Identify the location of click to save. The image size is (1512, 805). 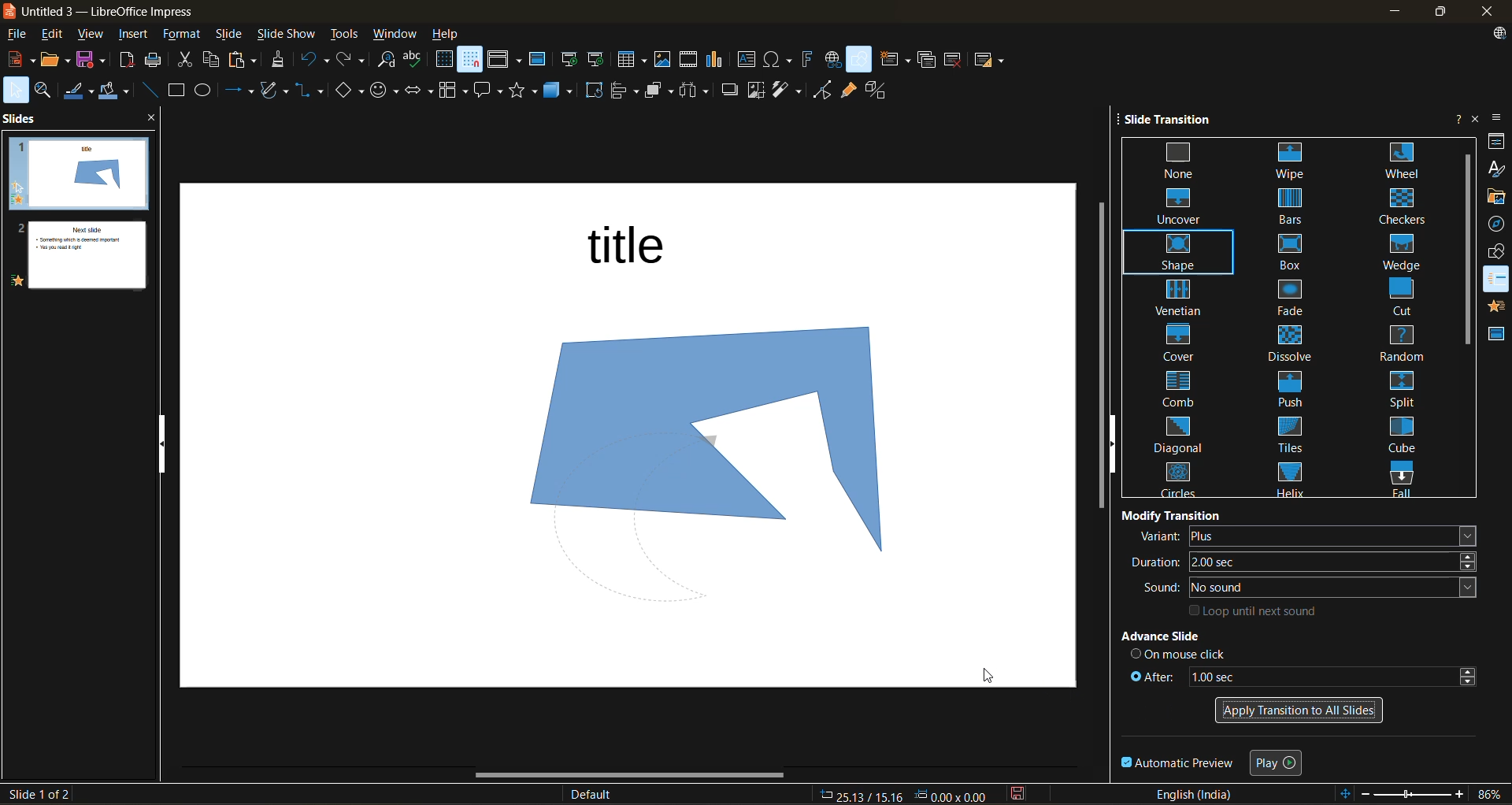
(1016, 796).